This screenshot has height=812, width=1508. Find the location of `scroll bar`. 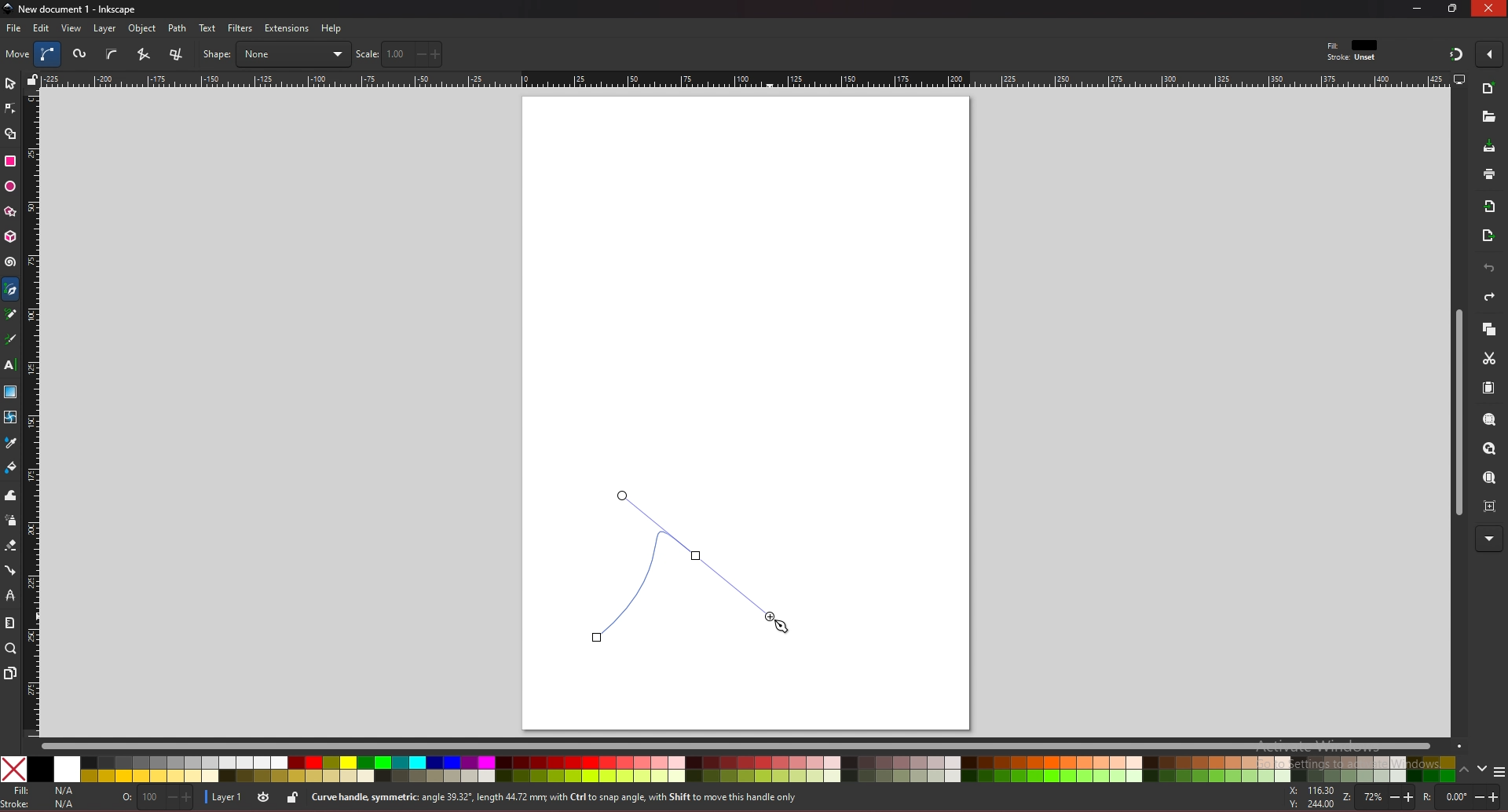

scroll bar is located at coordinates (1456, 413).